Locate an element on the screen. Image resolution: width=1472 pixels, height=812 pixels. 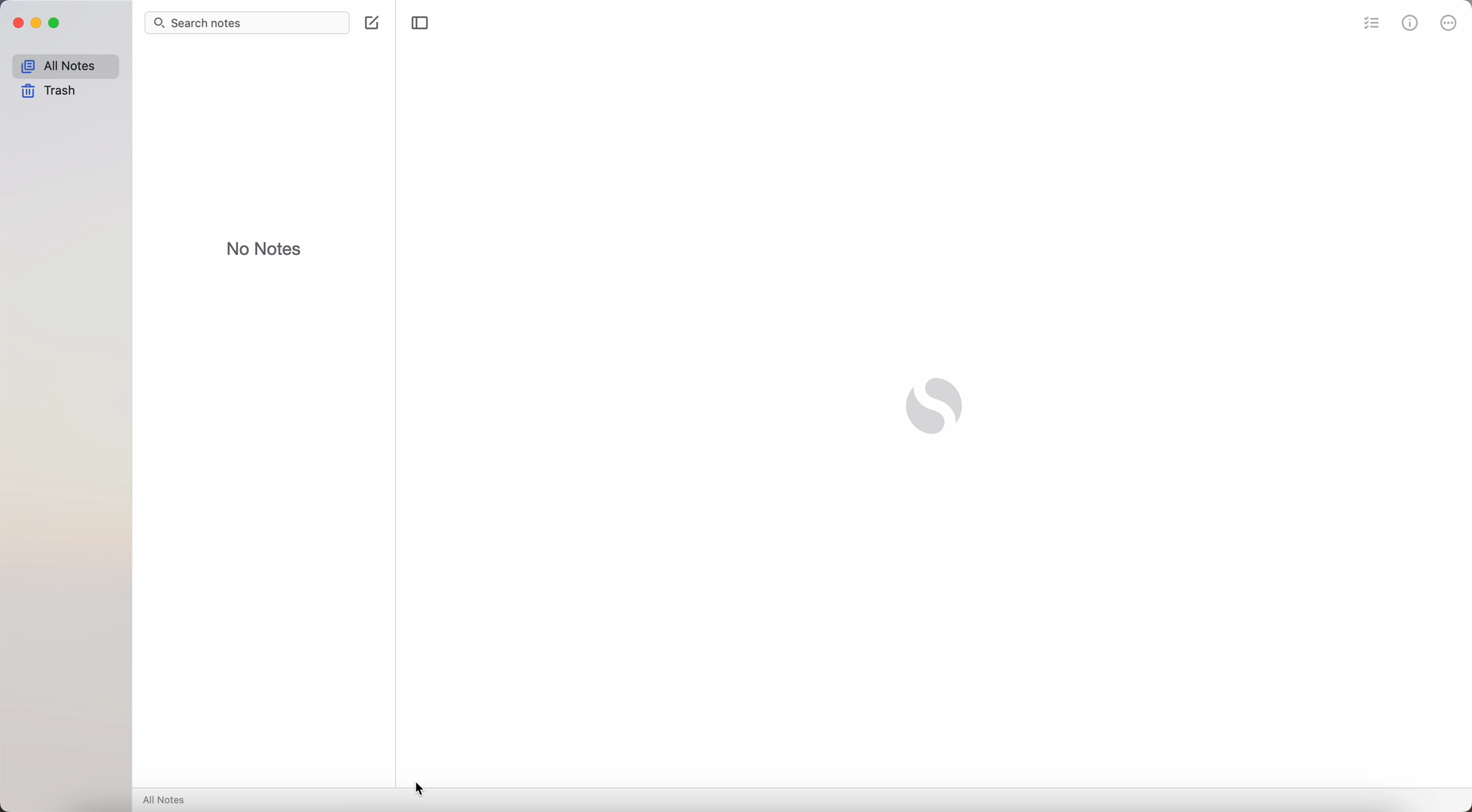
all notes is located at coordinates (65, 66).